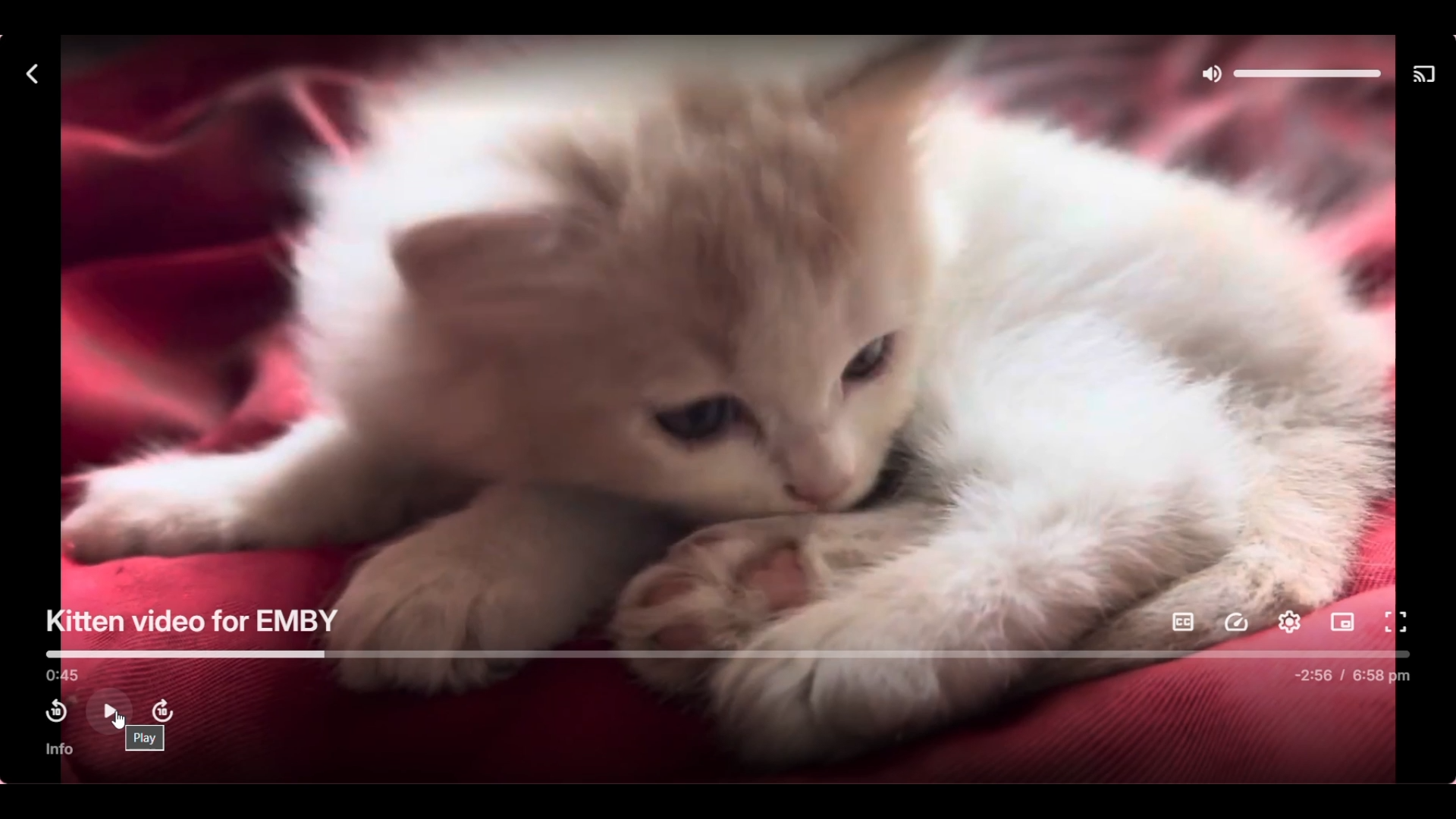  What do you see at coordinates (1307, 74) in the screenshot?
I see `Slider to change volume` at bounding box center [1307, 74].